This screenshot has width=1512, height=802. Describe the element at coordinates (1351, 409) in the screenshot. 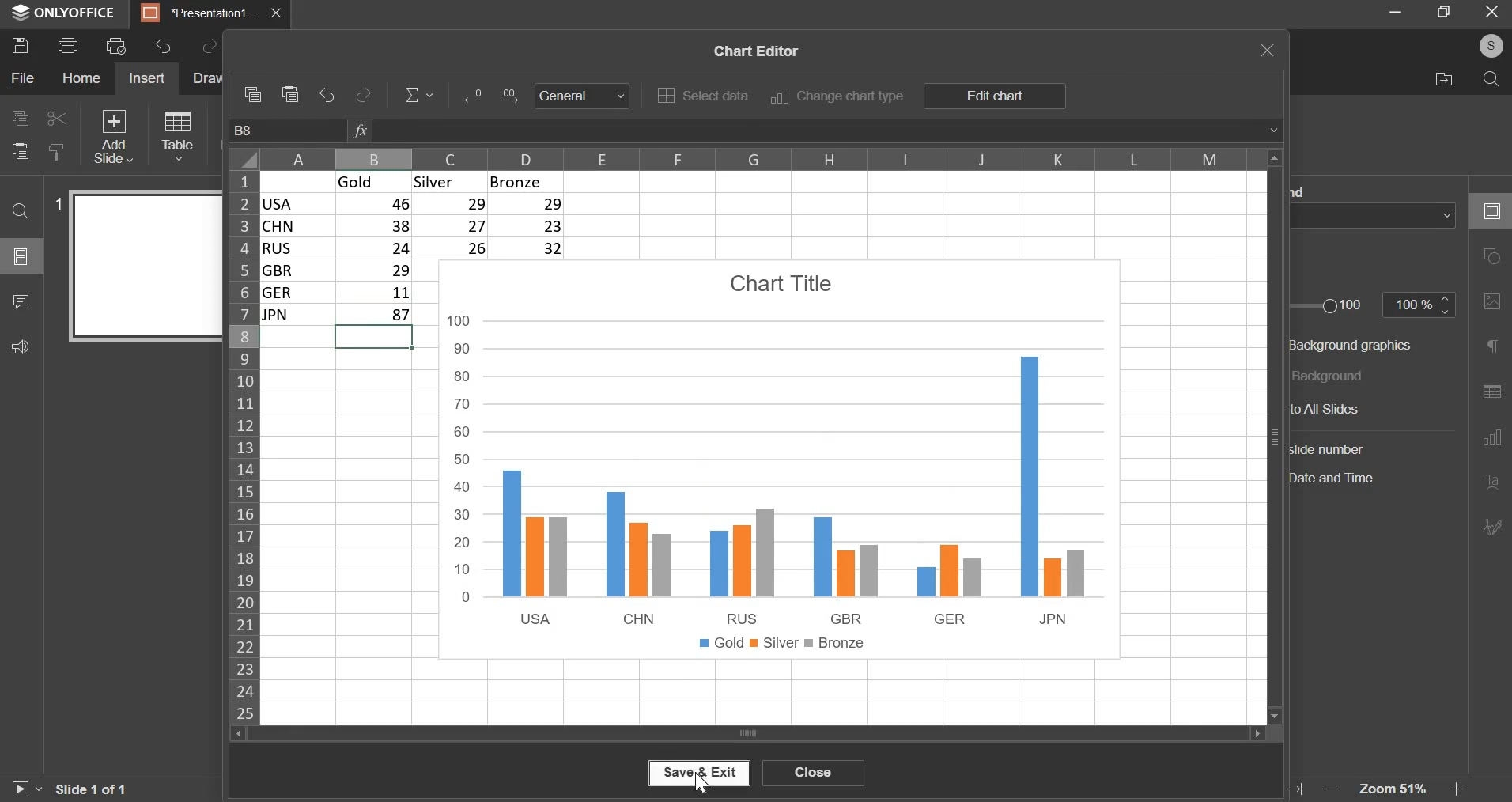

I see `to all slides` at that location.